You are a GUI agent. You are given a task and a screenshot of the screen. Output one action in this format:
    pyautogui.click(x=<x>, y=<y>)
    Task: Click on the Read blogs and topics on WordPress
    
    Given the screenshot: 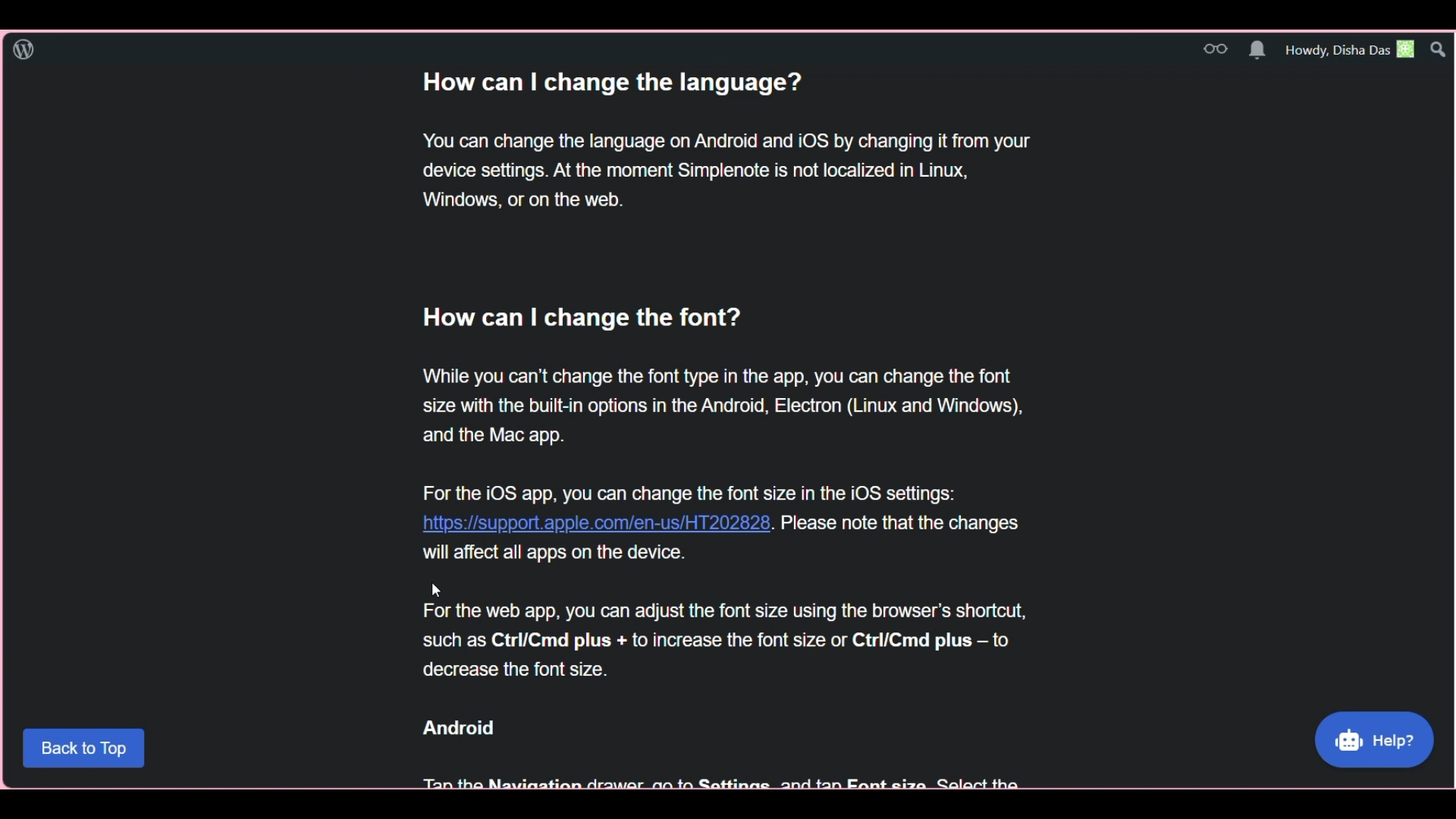 What is the action you would take?
    pyautogui.click(x=1215, y=49)
    